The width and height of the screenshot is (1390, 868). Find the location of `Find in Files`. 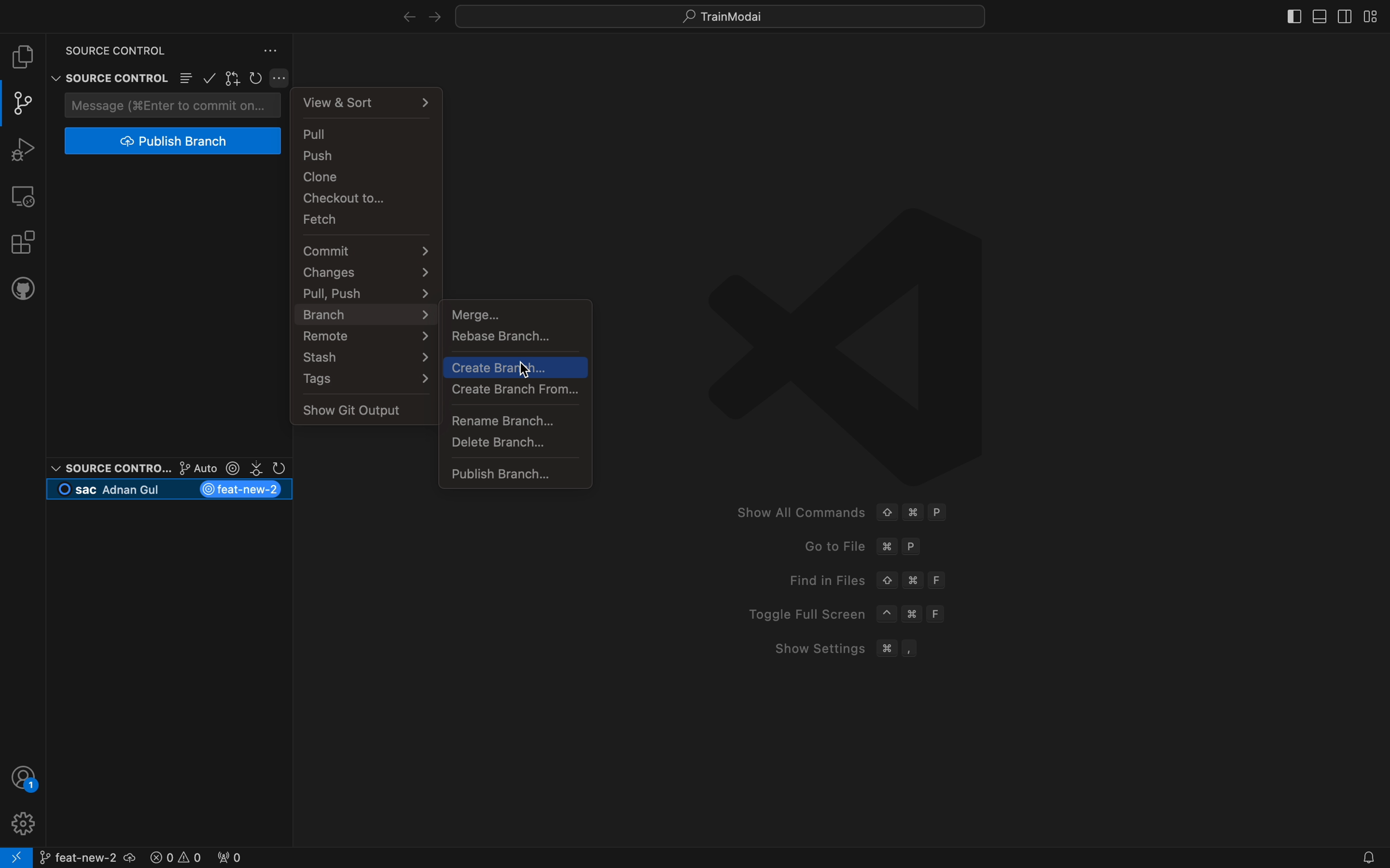

Find in Files is located at coordinates (817, 580).